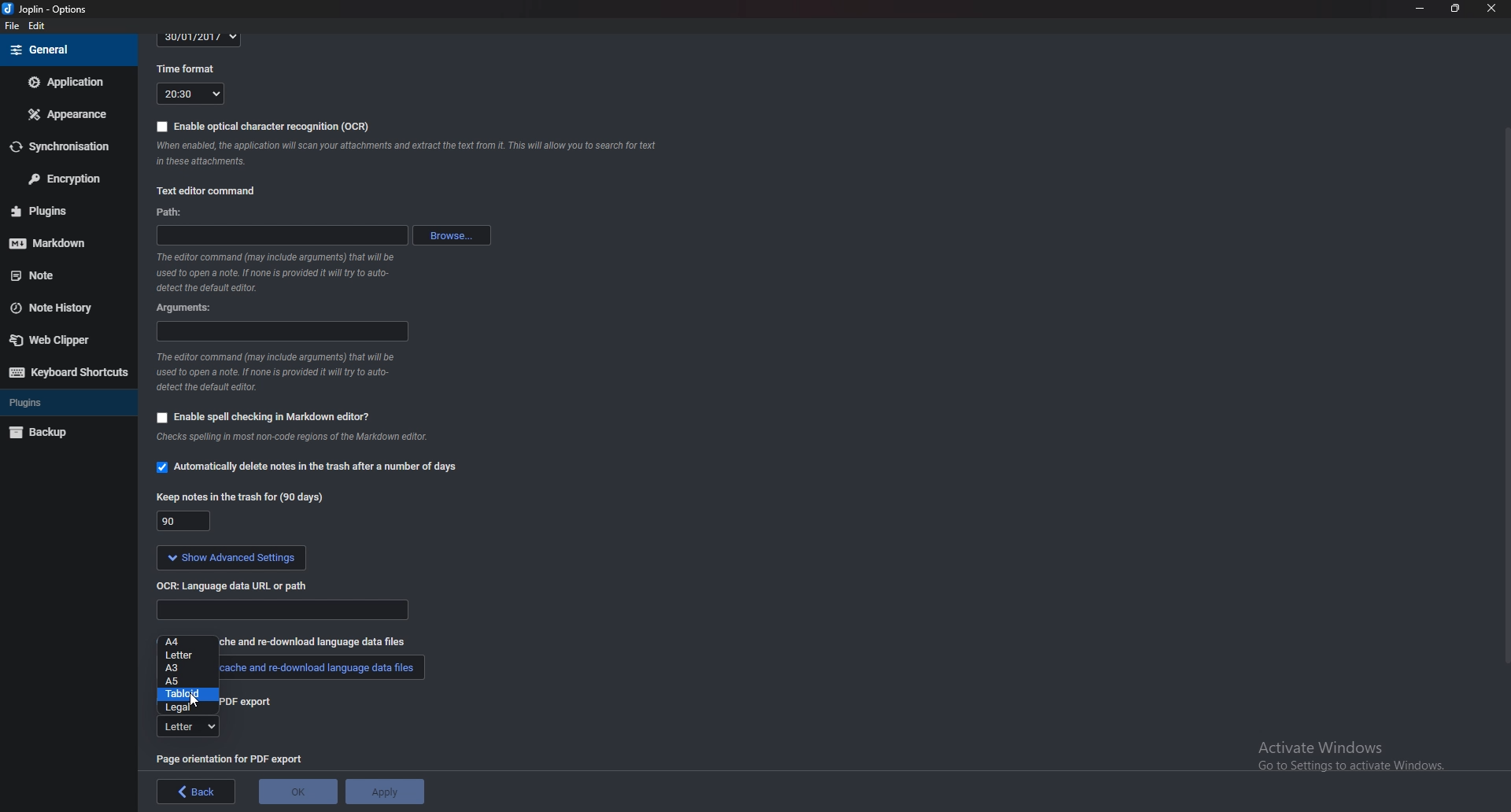 The width and height of the screenshot is (1511, 812). What do you see at coordinates (61, 210) in the screenshot?
I see `Plugins` at bounding box center [61, 210].